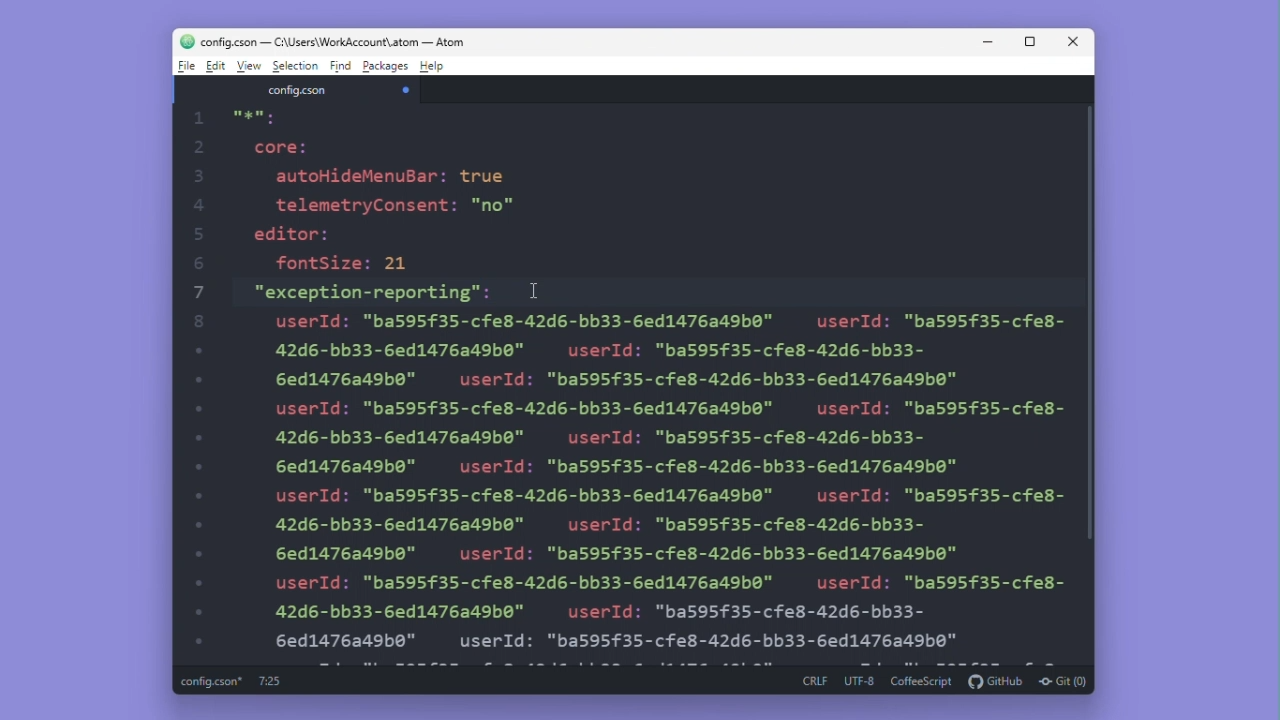 The image size is (1280, 720). What do you see at coordinates (340, 66) in the screenshot?
I see `Find` at bounding box center [340, 66].